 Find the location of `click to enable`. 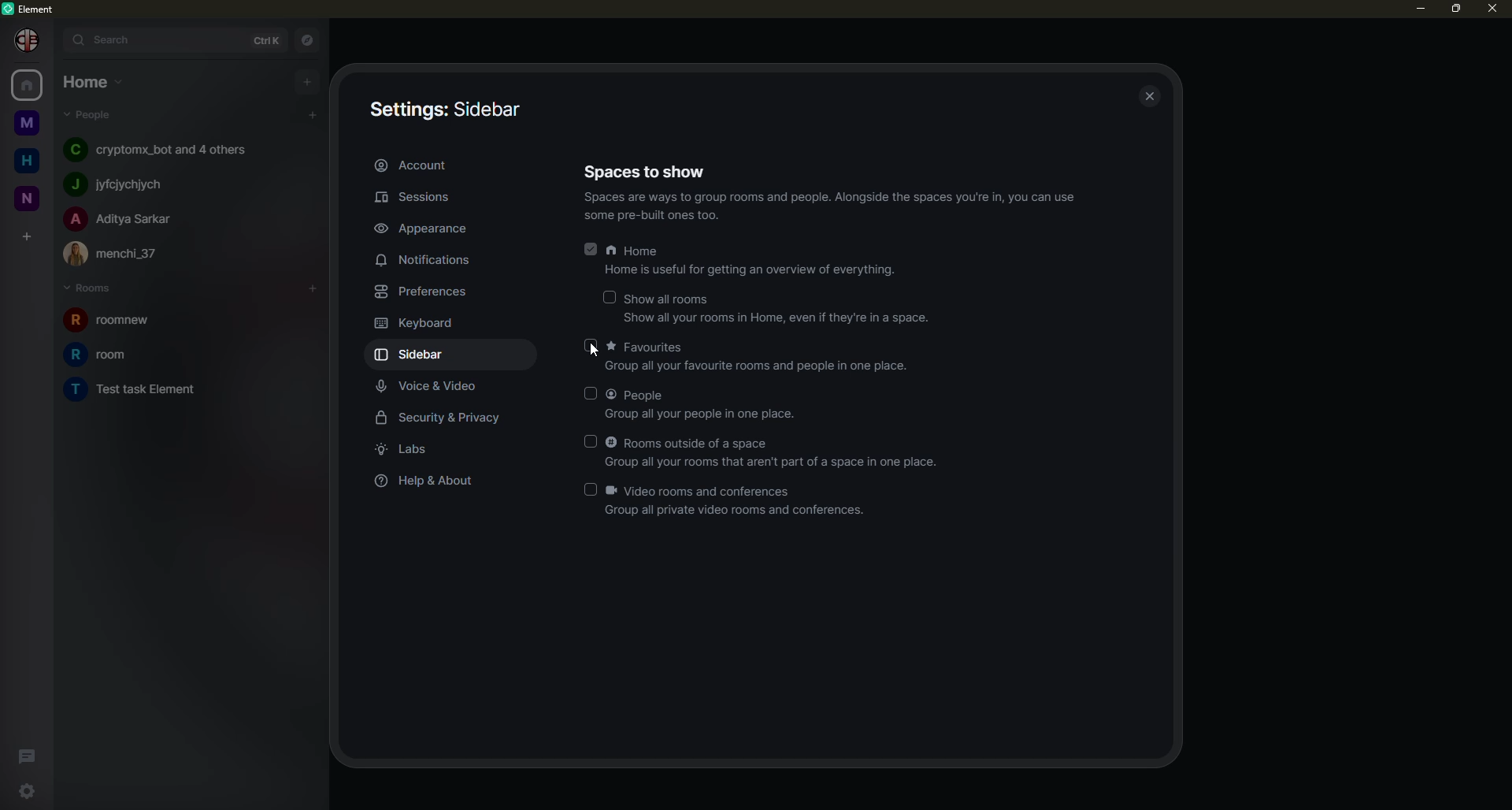

click to enable is located at coordinates (589, 345).